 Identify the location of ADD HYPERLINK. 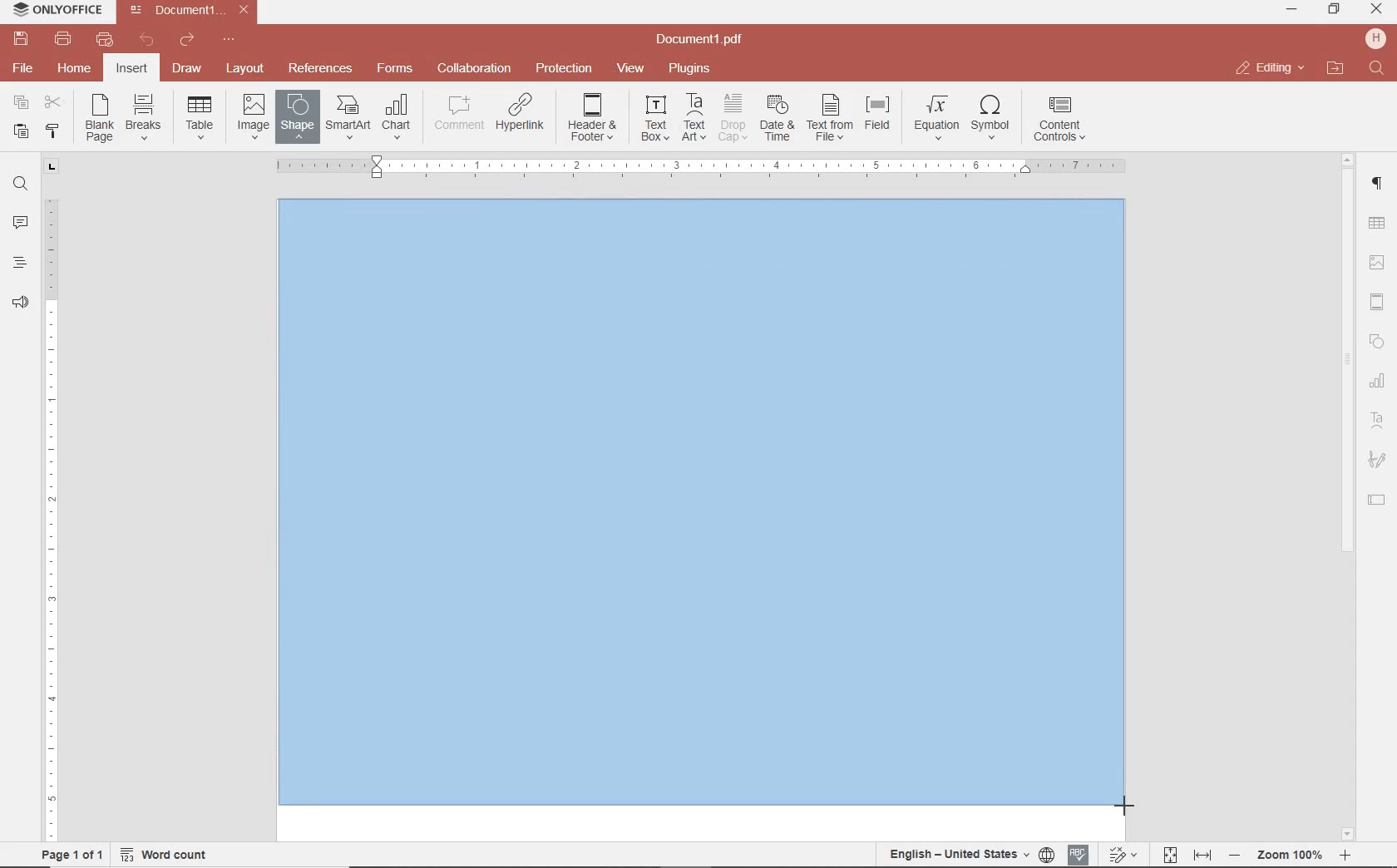
(521, 116).